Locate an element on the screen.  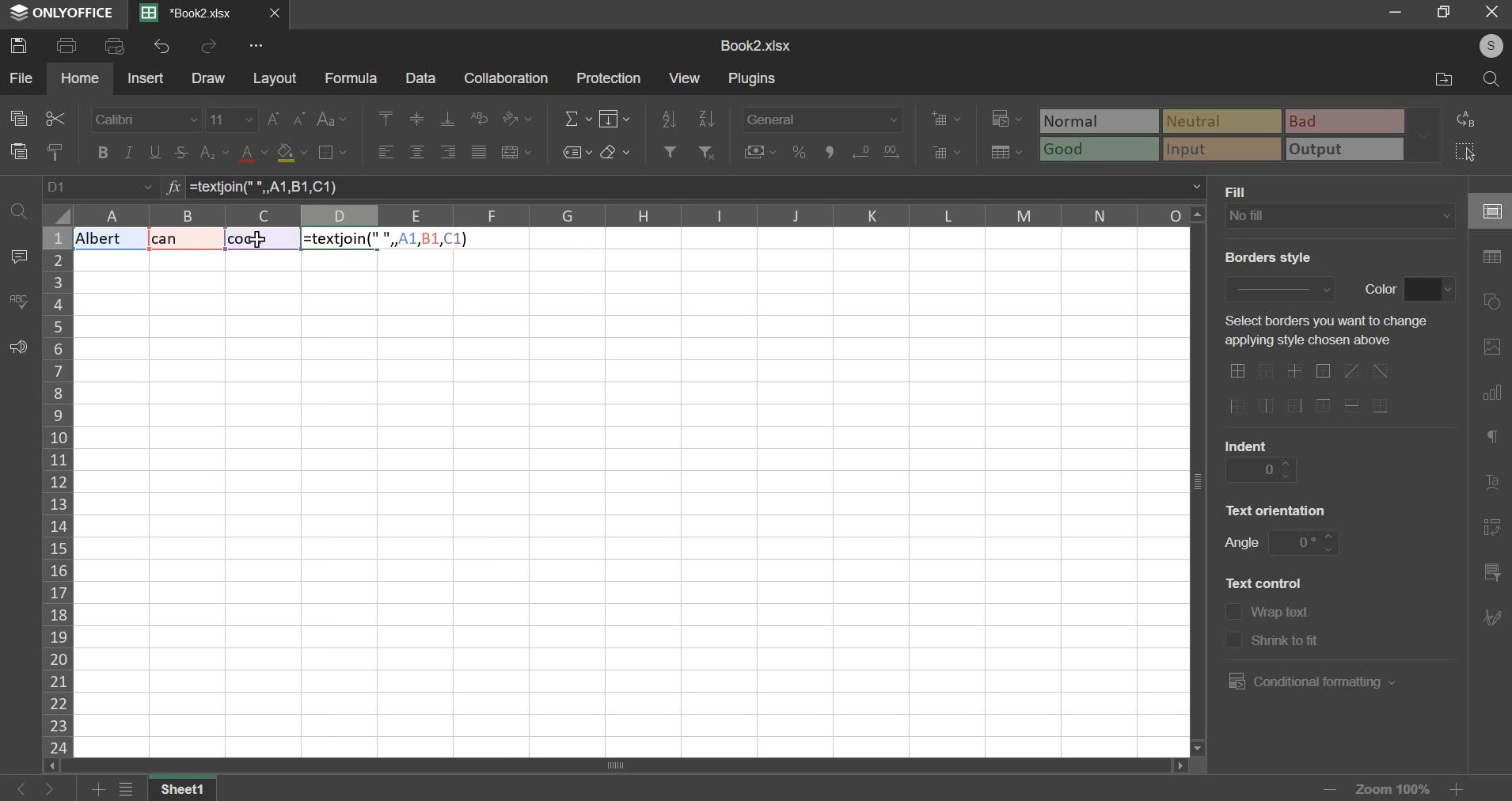
justified is located at coordinates (478, 151).